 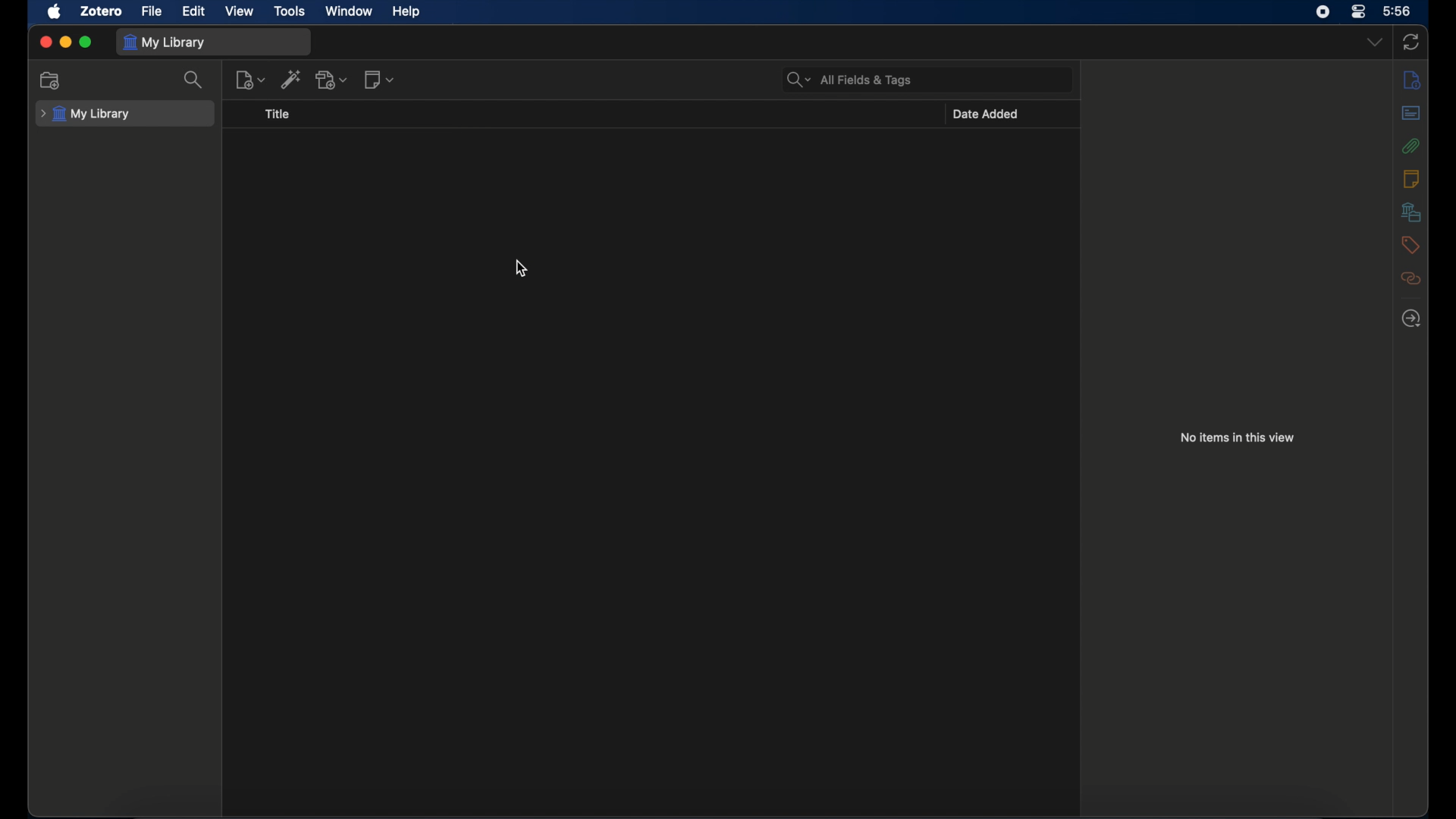 I want to click on view, so click(x=240, y=11).